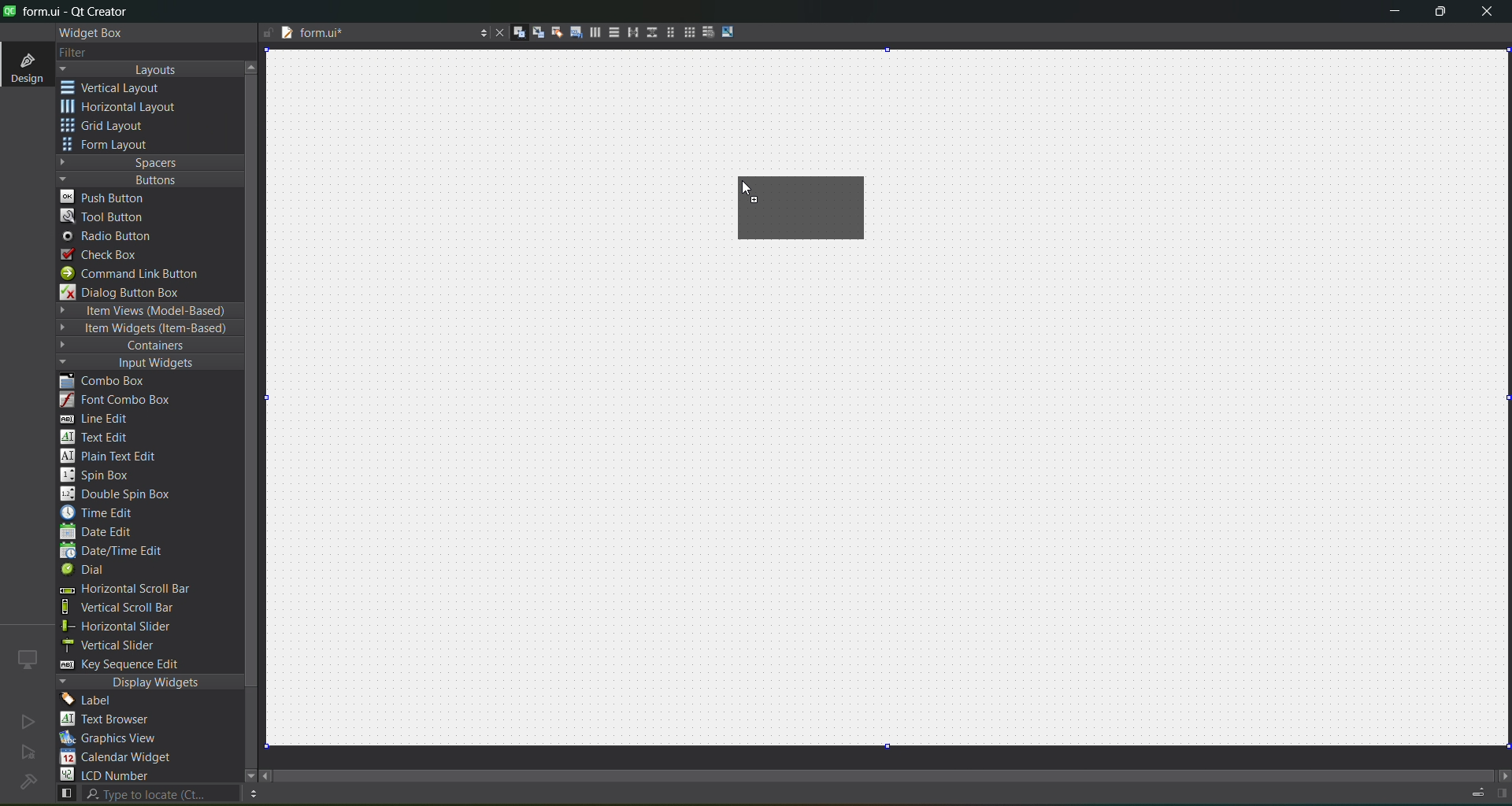 The height and width of the screenshot is (806, 1512). What do you see at coordinates (551, 32) in the screenshot?
I see `edit buddies` at bounding box center [551, 32].